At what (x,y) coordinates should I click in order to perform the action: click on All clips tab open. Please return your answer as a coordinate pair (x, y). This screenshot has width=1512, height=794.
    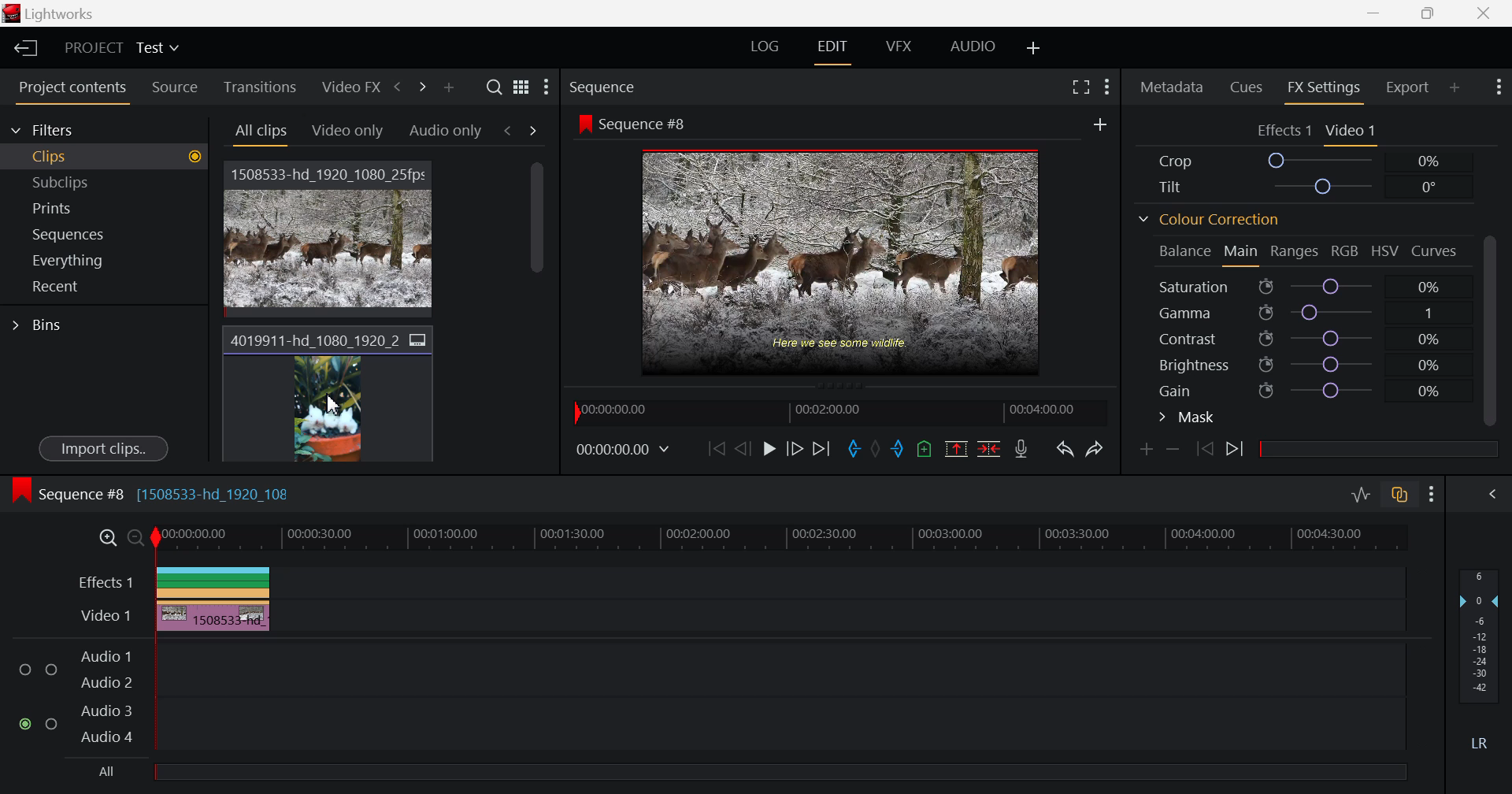
    Looking at the image, I should click on (260, 134).